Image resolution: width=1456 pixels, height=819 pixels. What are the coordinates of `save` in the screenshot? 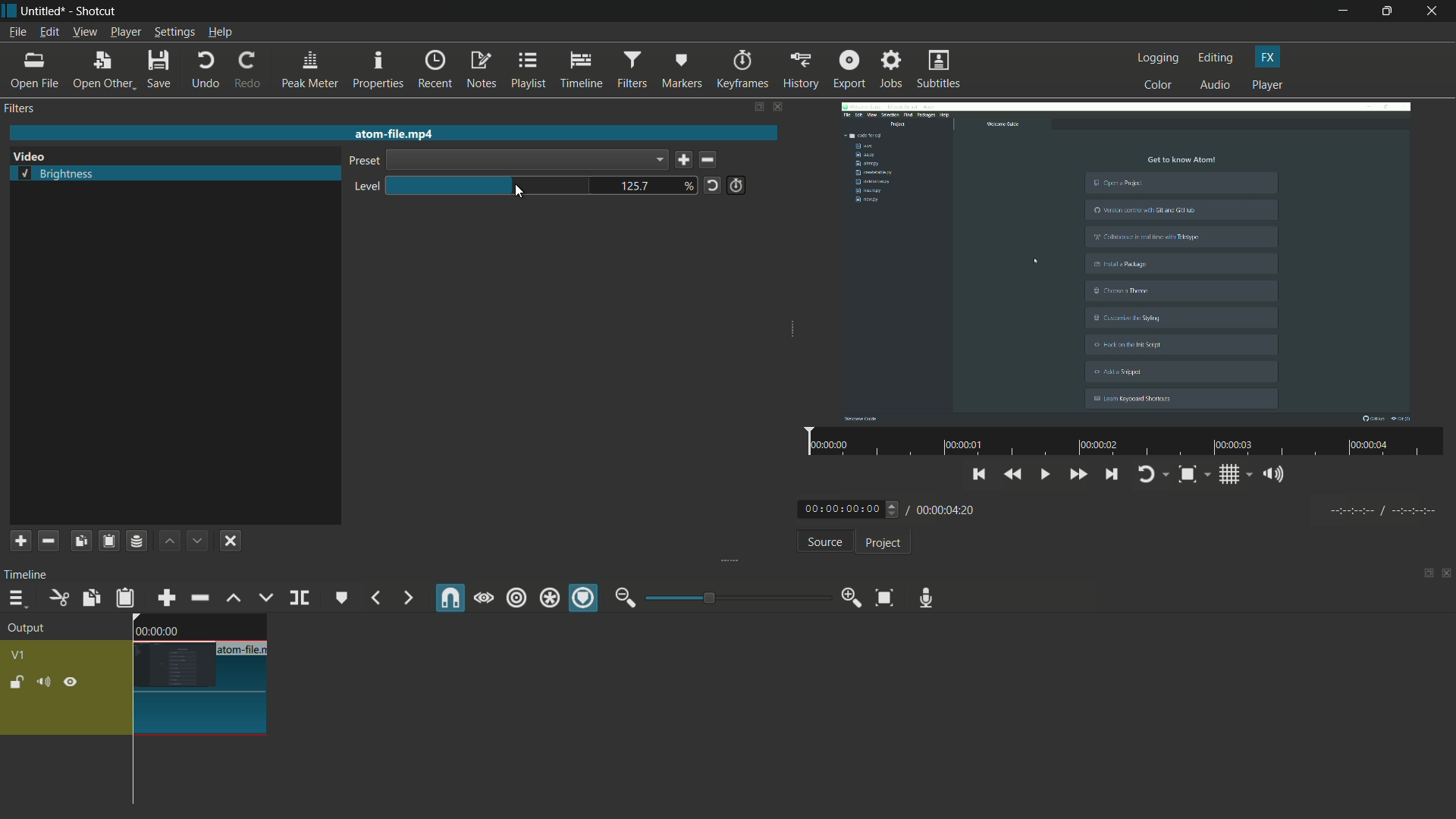 It's located at (161, 71).